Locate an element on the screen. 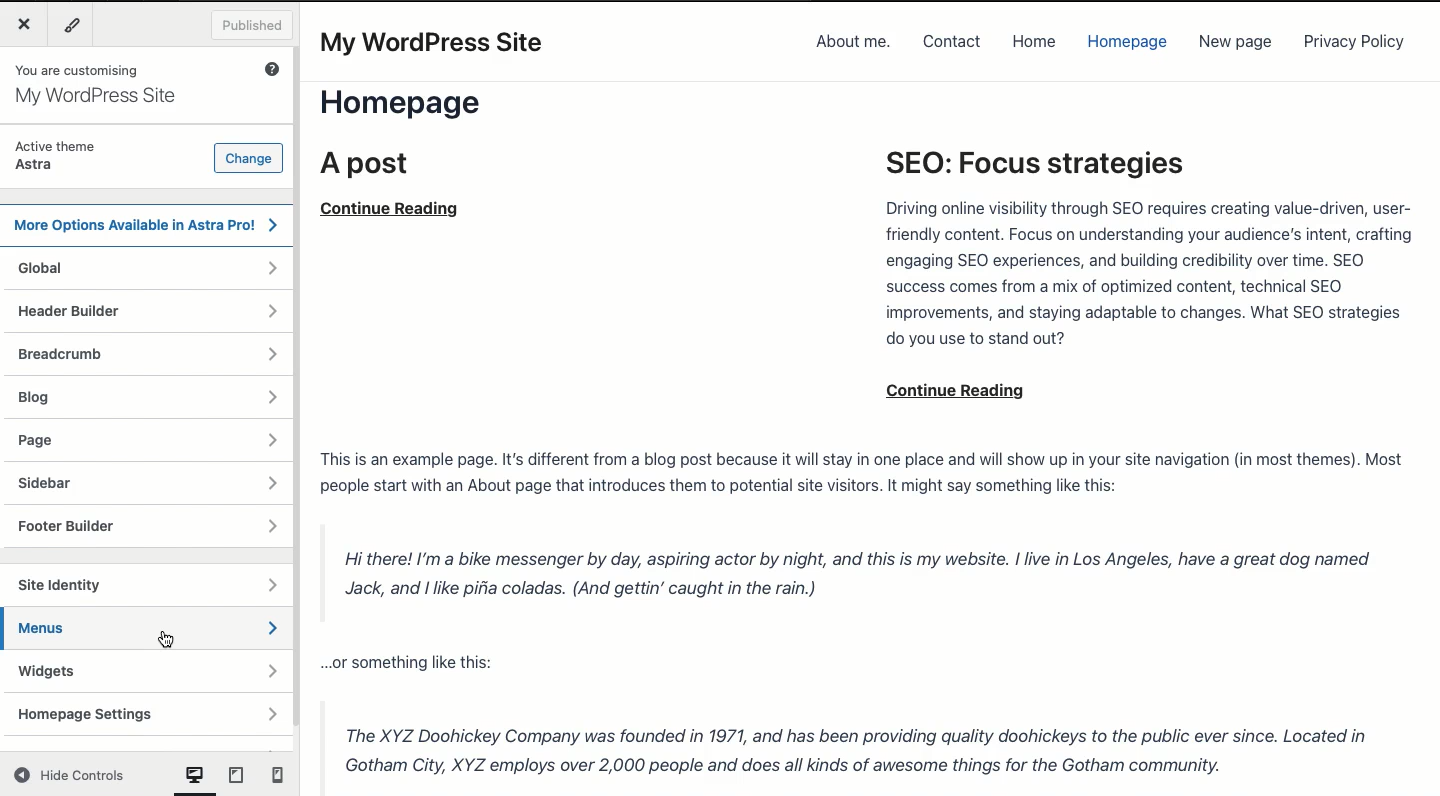  SEO is located at coordinates (1143, 252).